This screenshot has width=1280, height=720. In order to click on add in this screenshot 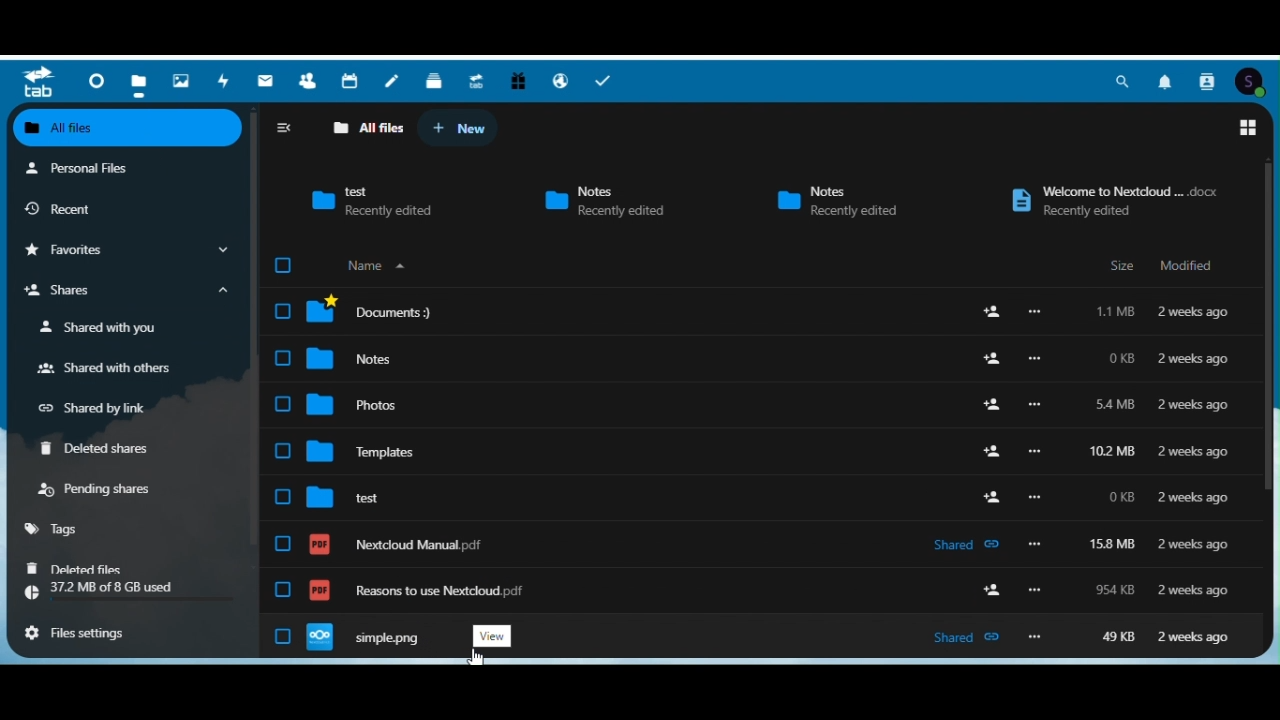, I will do `click(991, 451)`.